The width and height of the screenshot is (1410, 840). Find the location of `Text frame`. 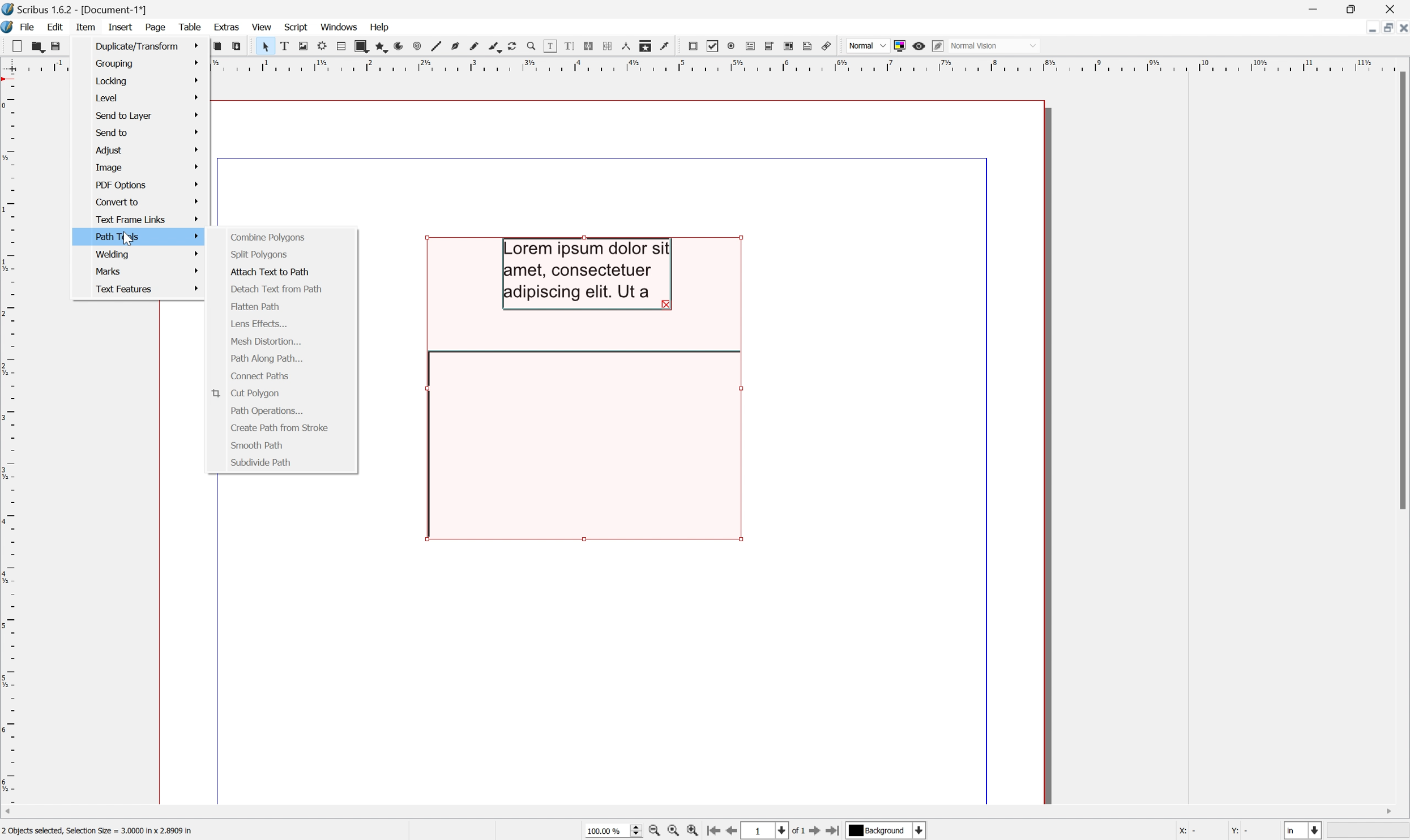

Text frame is located at coordinates (283, 48).